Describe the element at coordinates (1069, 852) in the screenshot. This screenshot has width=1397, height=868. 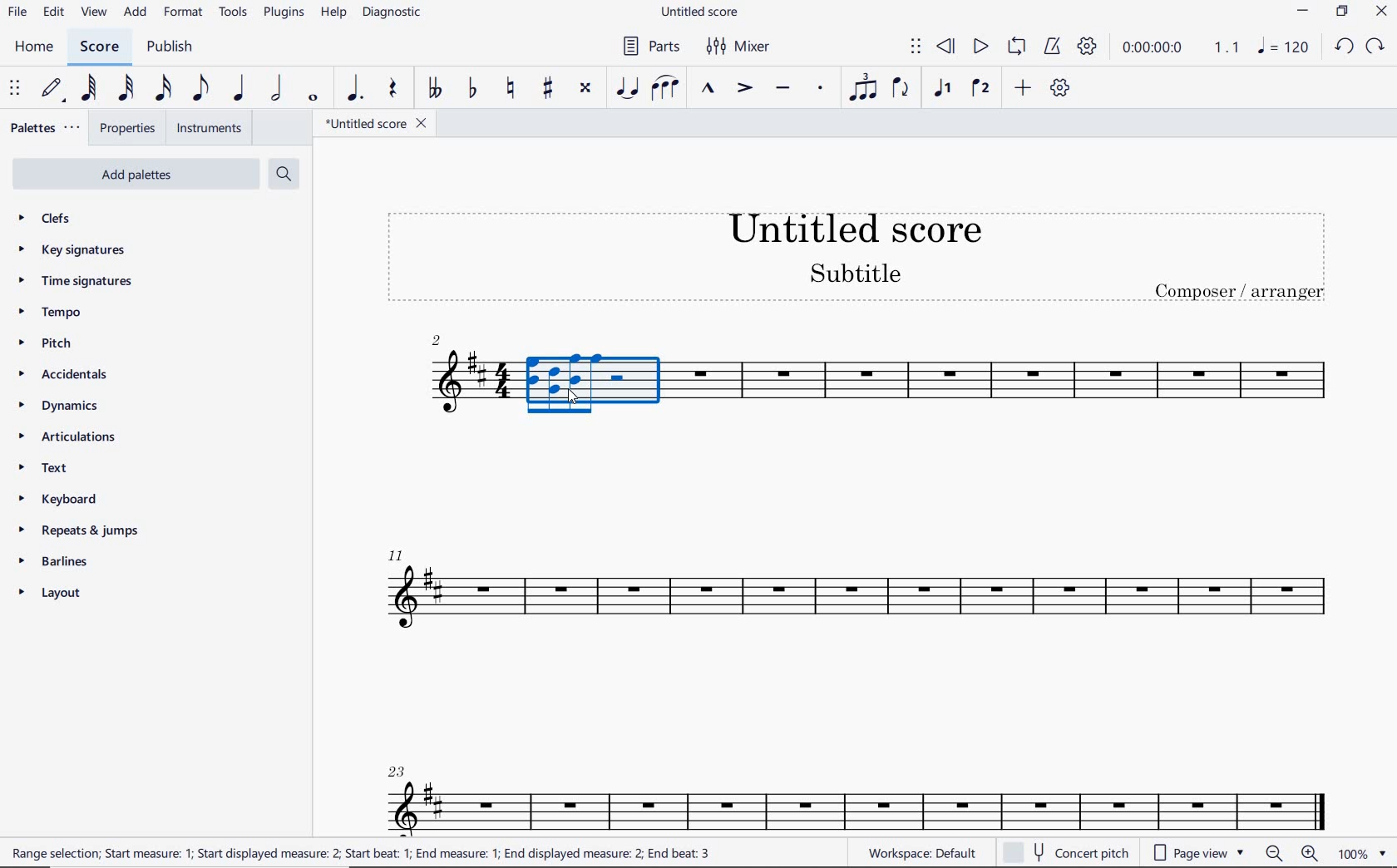
I see `concert pitch` at that location.